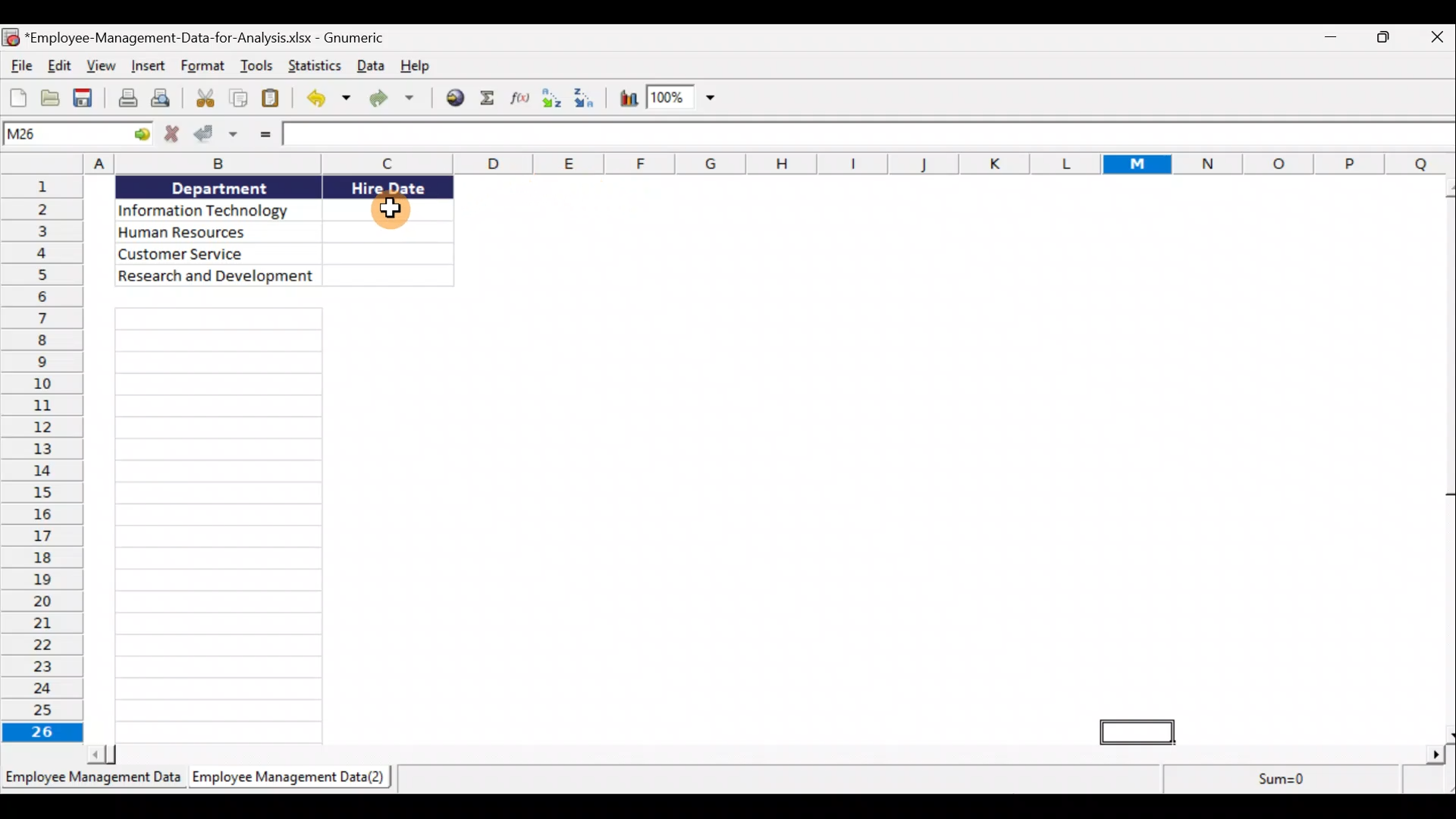  I want to click on Cancel change, so click(171, 136).